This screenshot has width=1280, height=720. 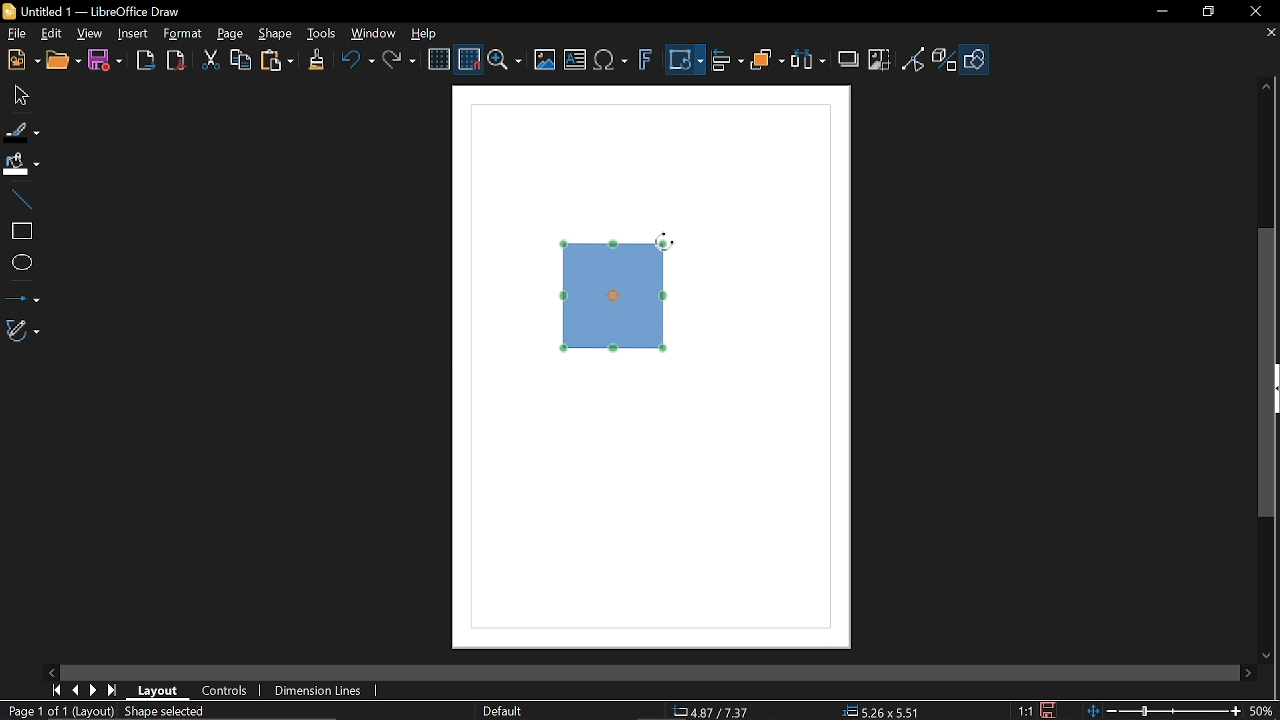 I want to click on Slide master name, so click(x=503, y=709).